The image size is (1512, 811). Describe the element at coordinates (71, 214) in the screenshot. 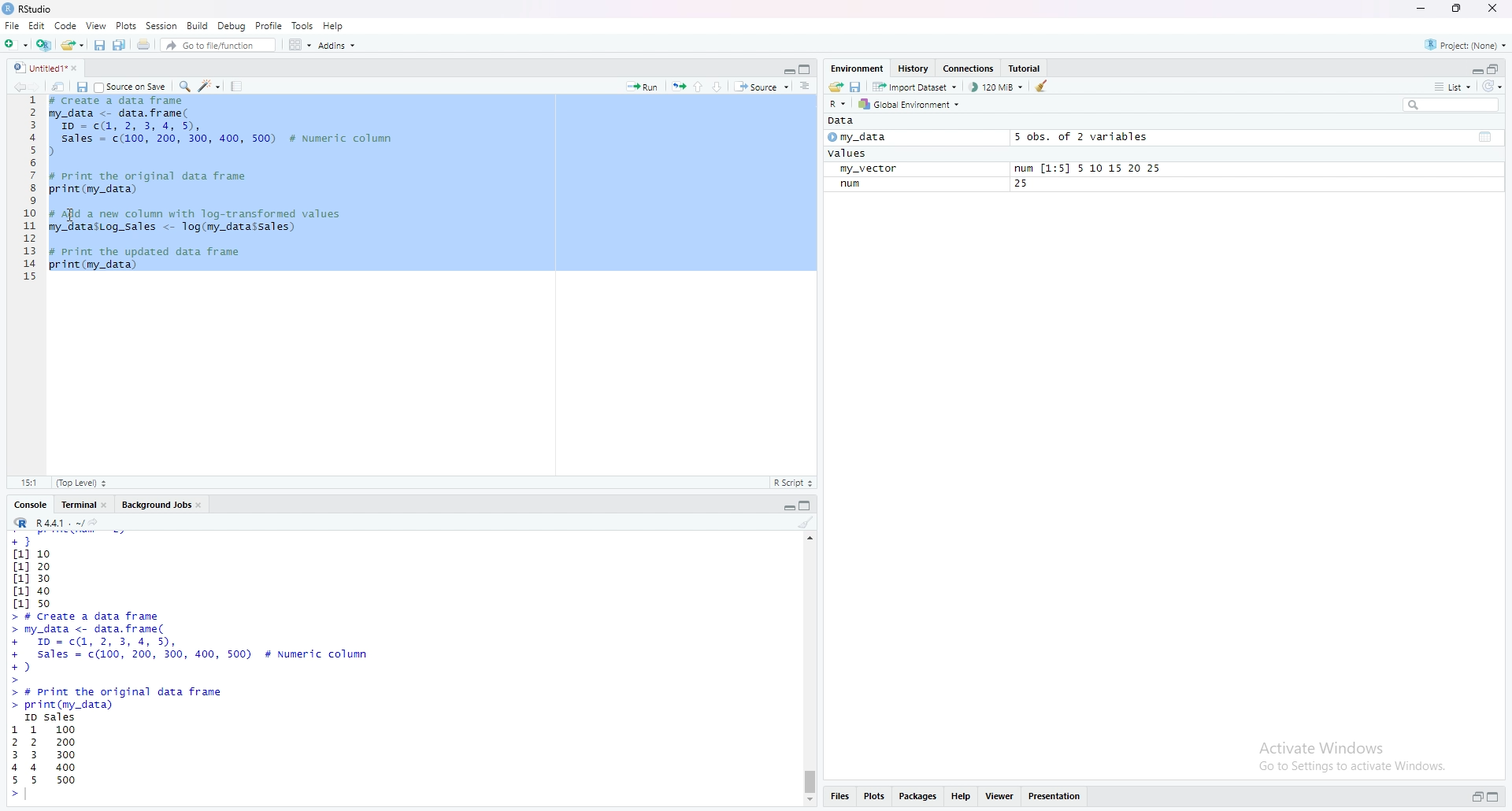

I see `cursor` at that location.